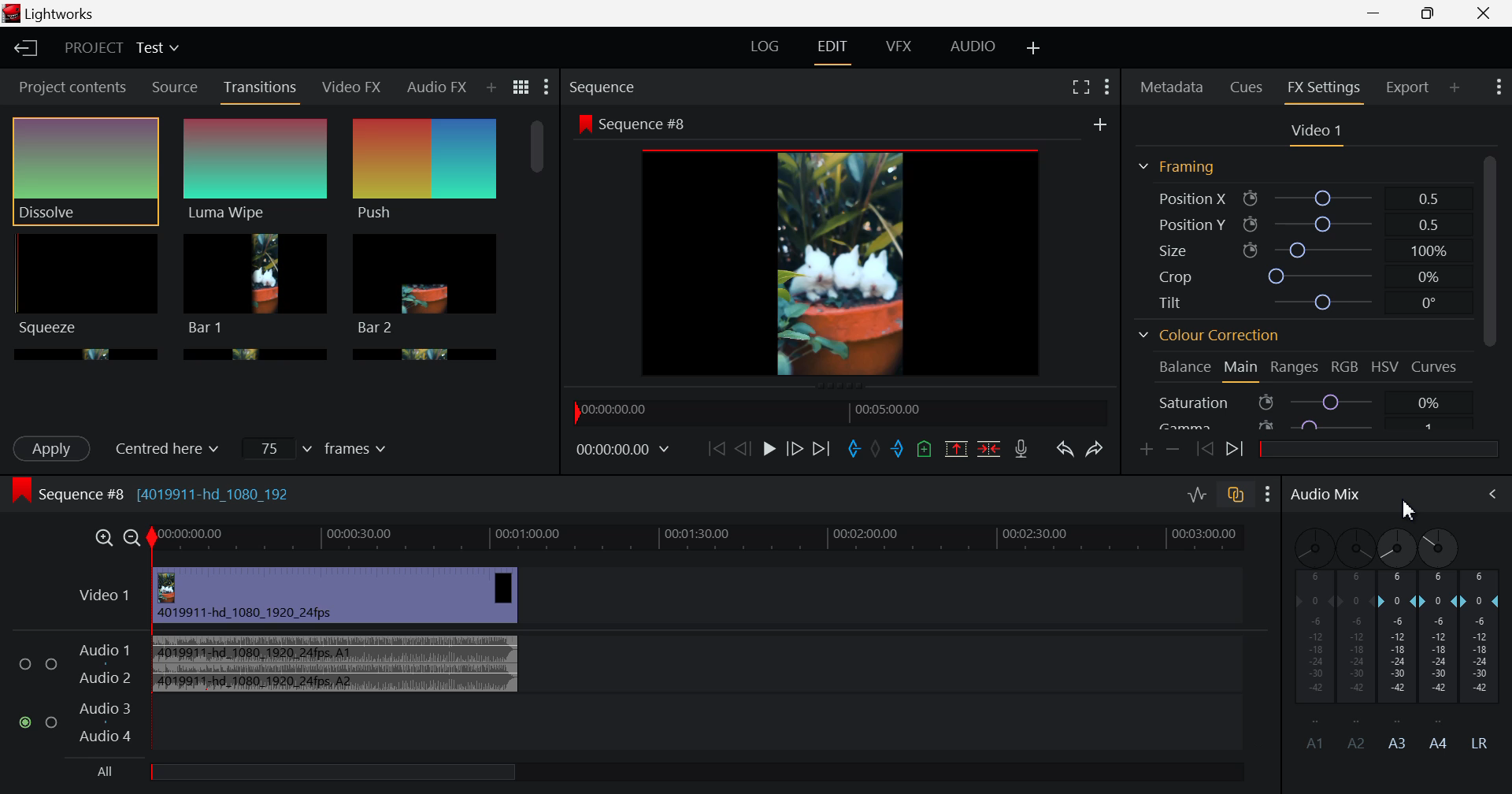 The width and height of the screenshot is (1512, 794). Describe the element at coordinates (923, 449) in the screenshot. I see `Mark Cue` at that location.